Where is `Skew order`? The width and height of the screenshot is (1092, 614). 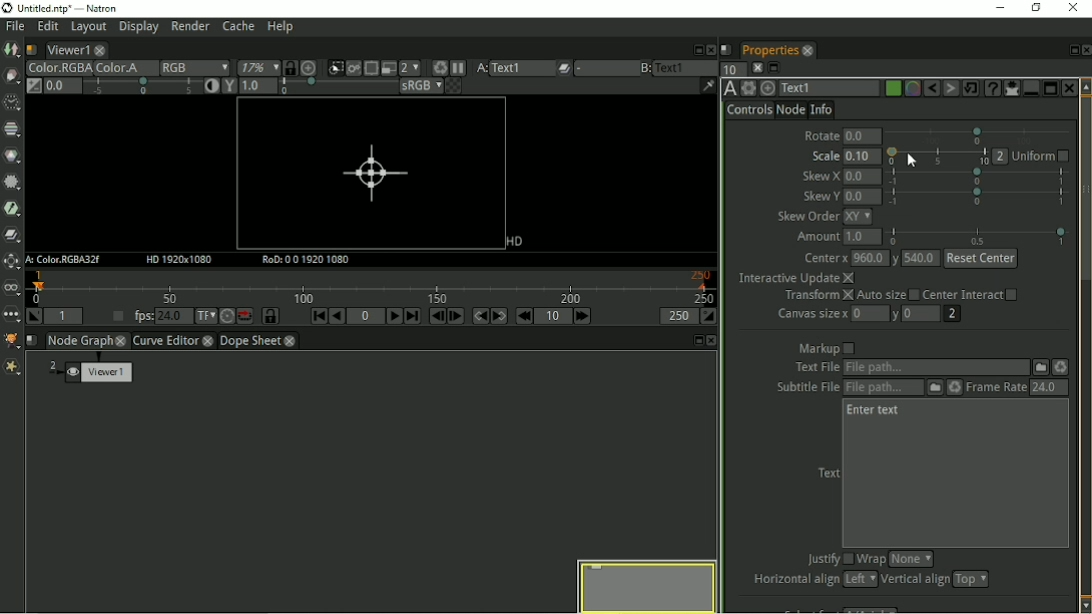 Skew order is located at coordinates (825, 217).